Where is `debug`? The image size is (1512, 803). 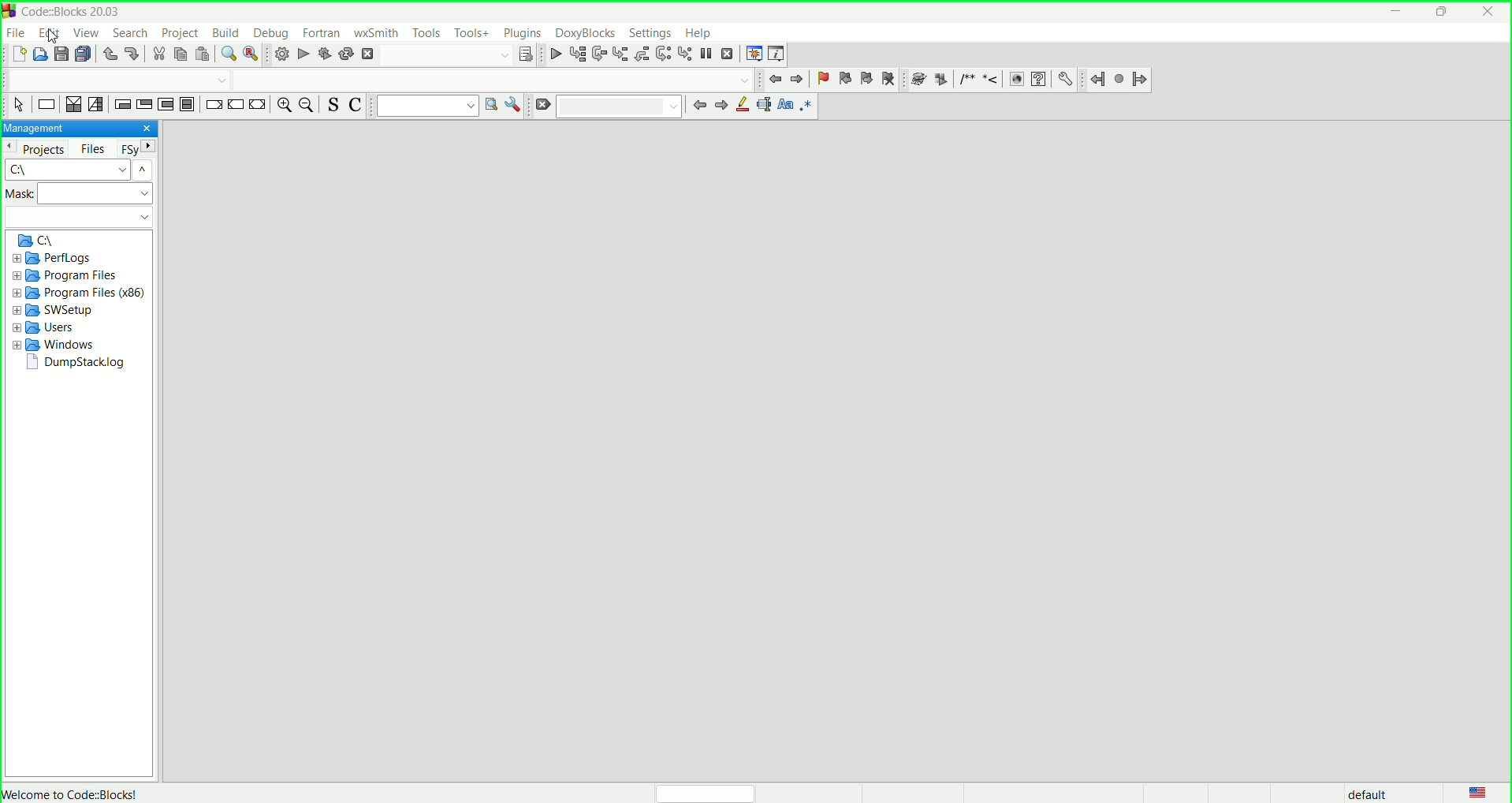
debug is located at coordinates (272, 32).